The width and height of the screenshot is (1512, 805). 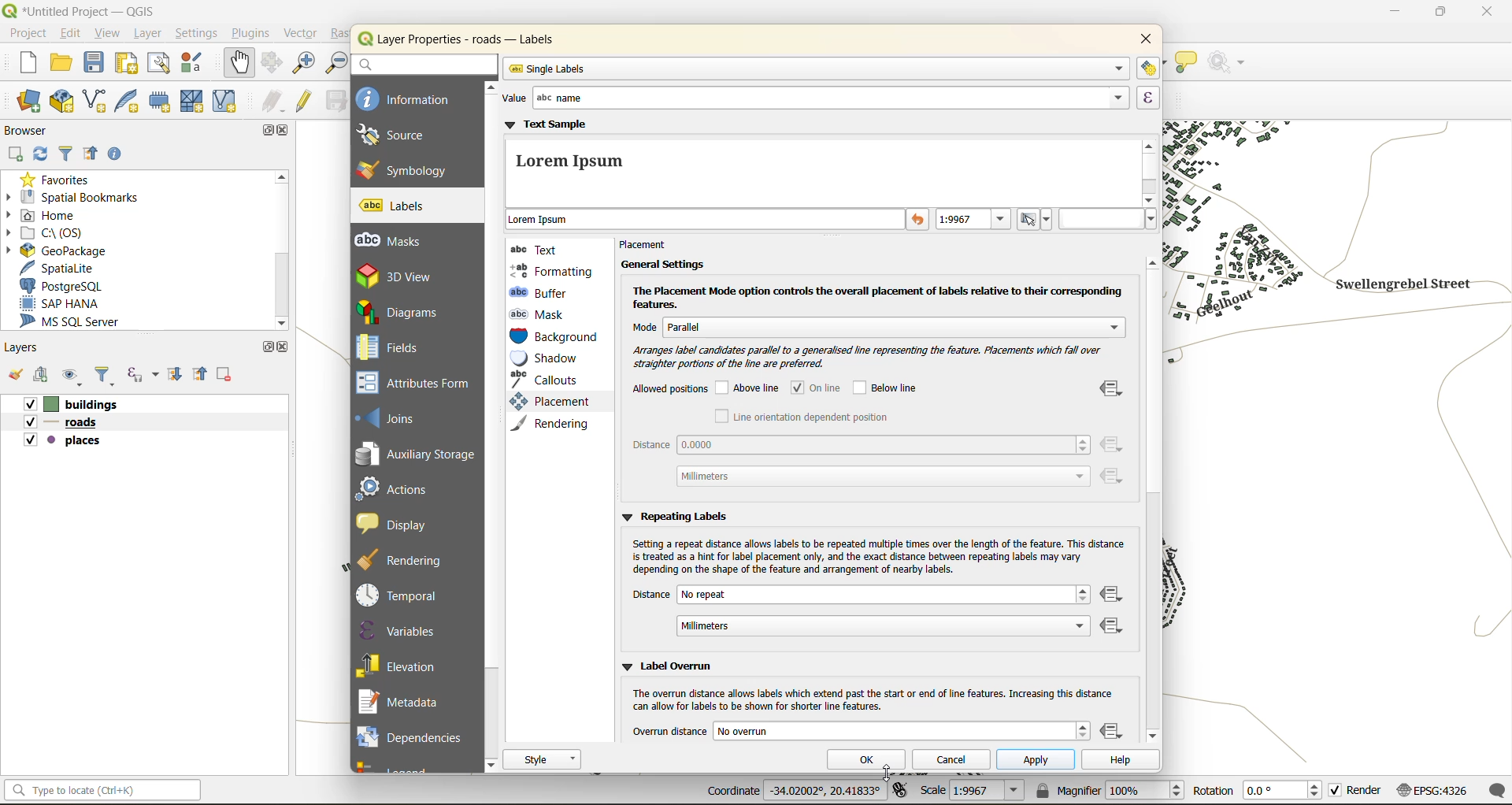 I want to click on close, so click(x=1141, y=40).